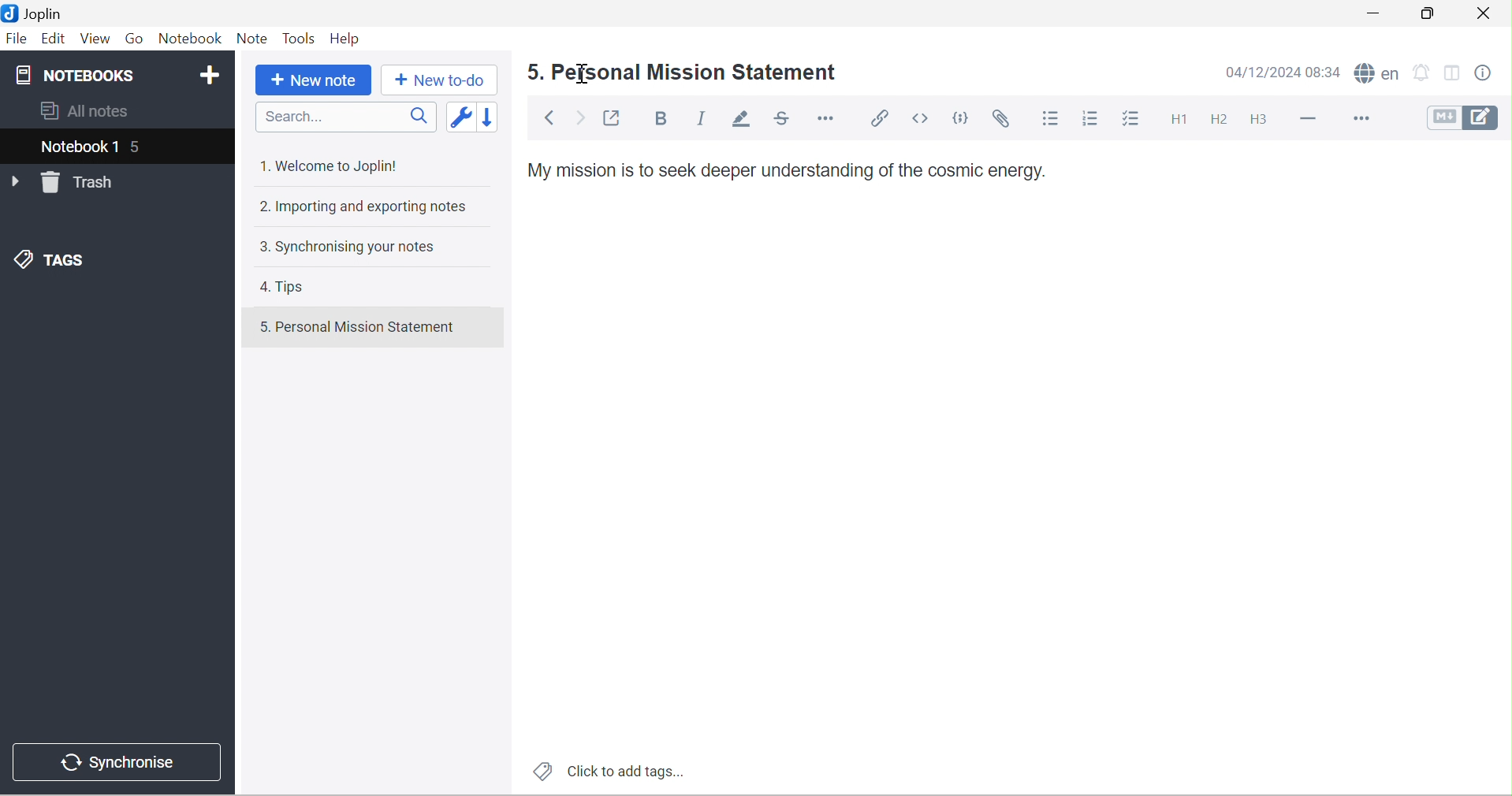 Image resolution: width=1512 pixels, height=796 pixels. What do you see at coordinates (612, 117) in the screenshot?
I see `Toggle external editing` at bounding box center [612, 117].